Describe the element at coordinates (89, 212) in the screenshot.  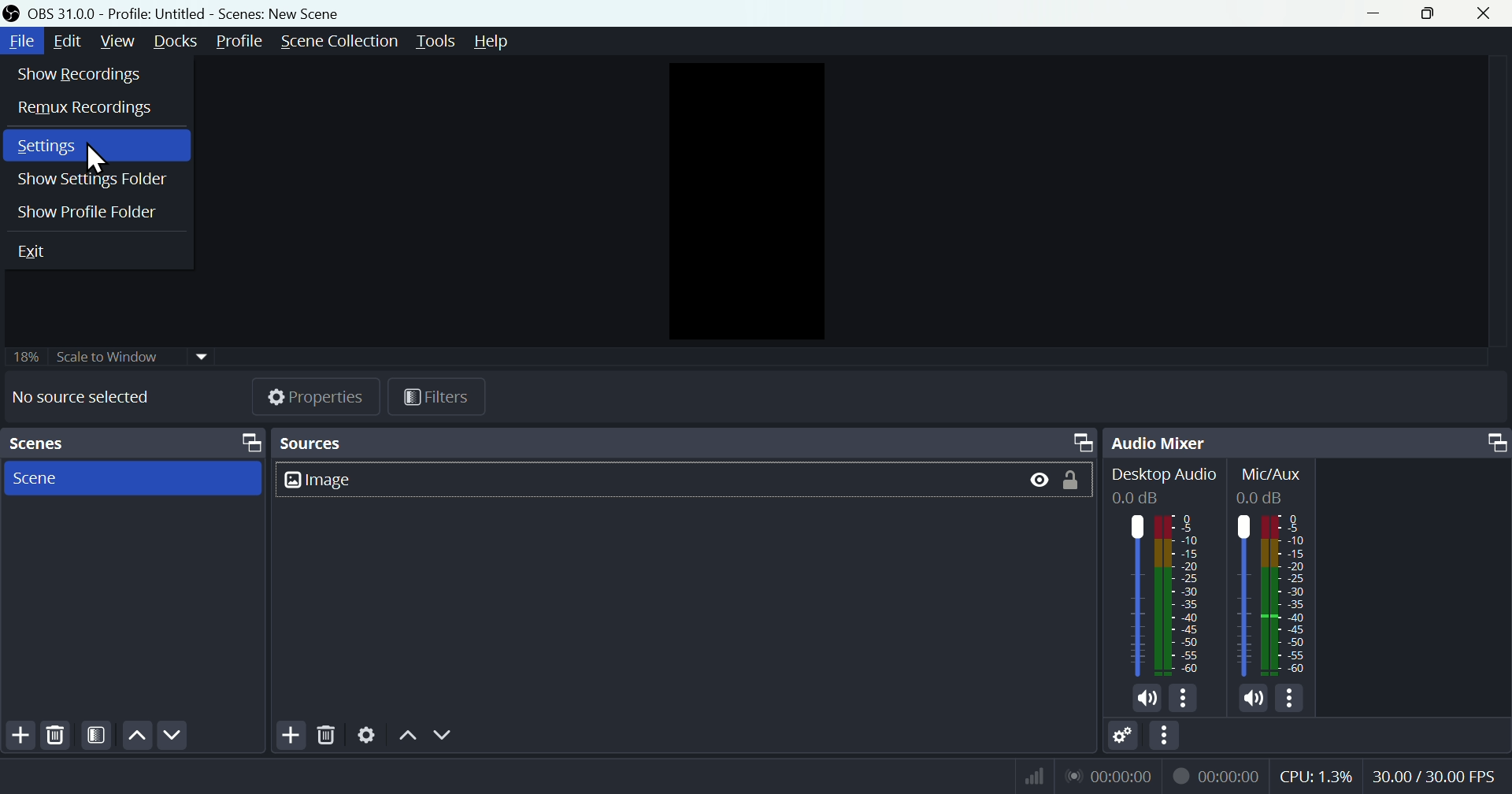
I see `` at that location.